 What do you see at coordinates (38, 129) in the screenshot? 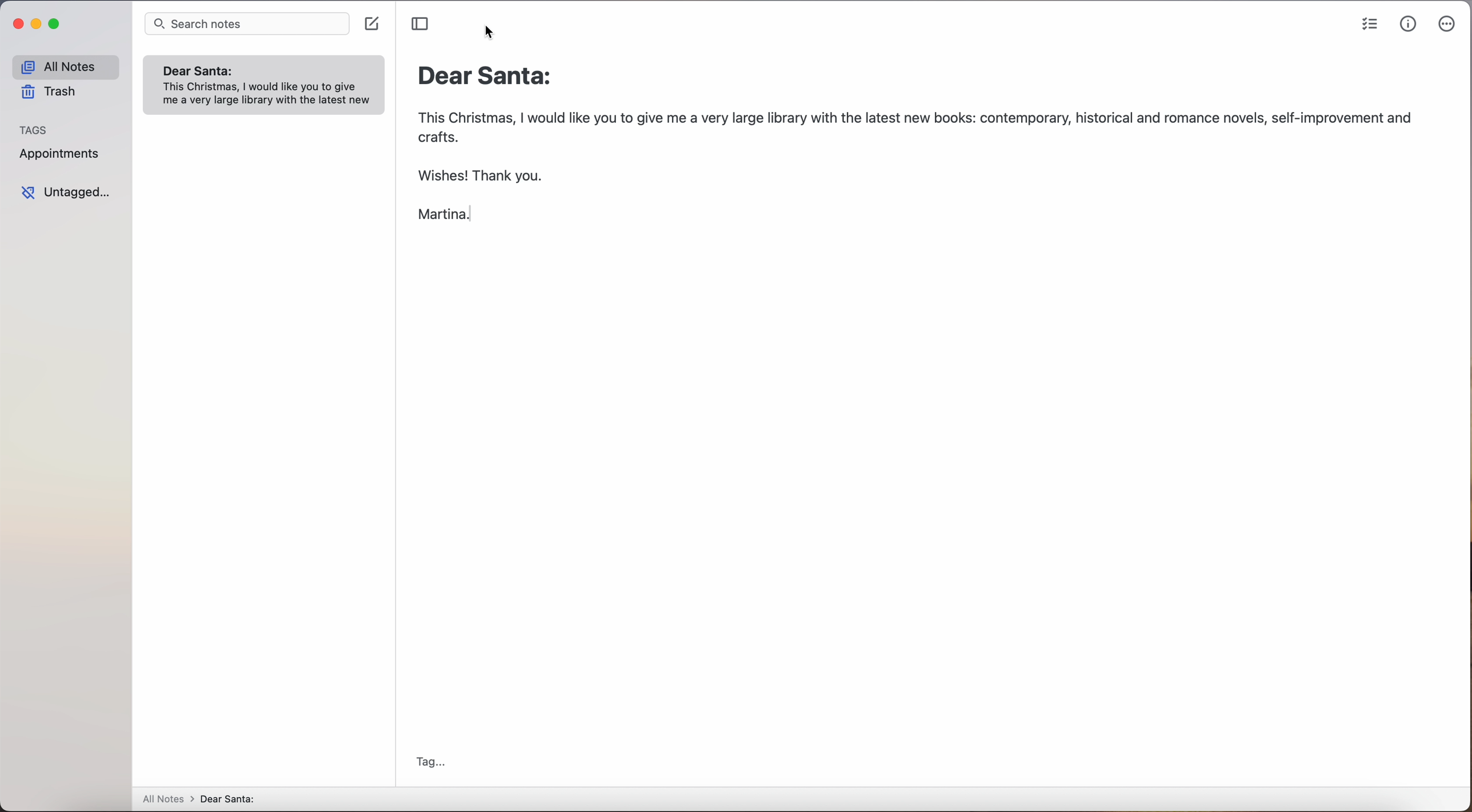
I see `tags` at bounding box center [38, 129].